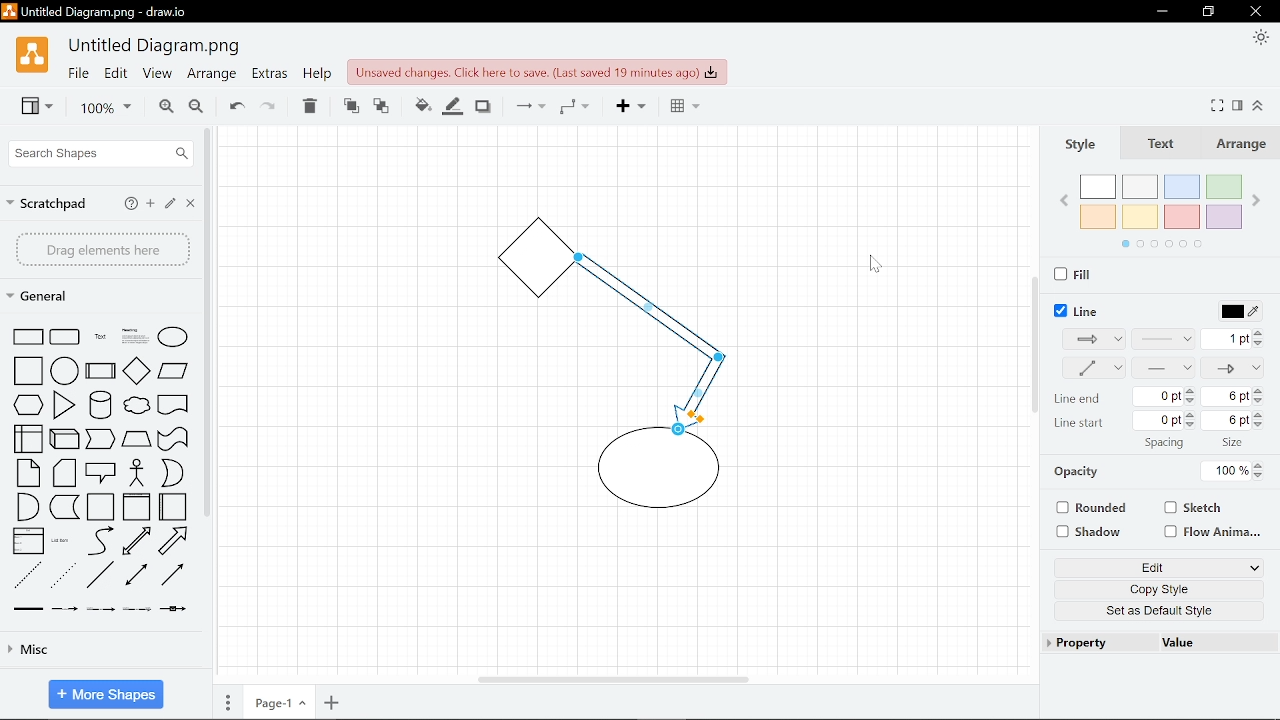 Image resolution: width=1280 pixels, height=720 pixels. I want to click on Unsaved changes, click here to save, so click(537, 71).